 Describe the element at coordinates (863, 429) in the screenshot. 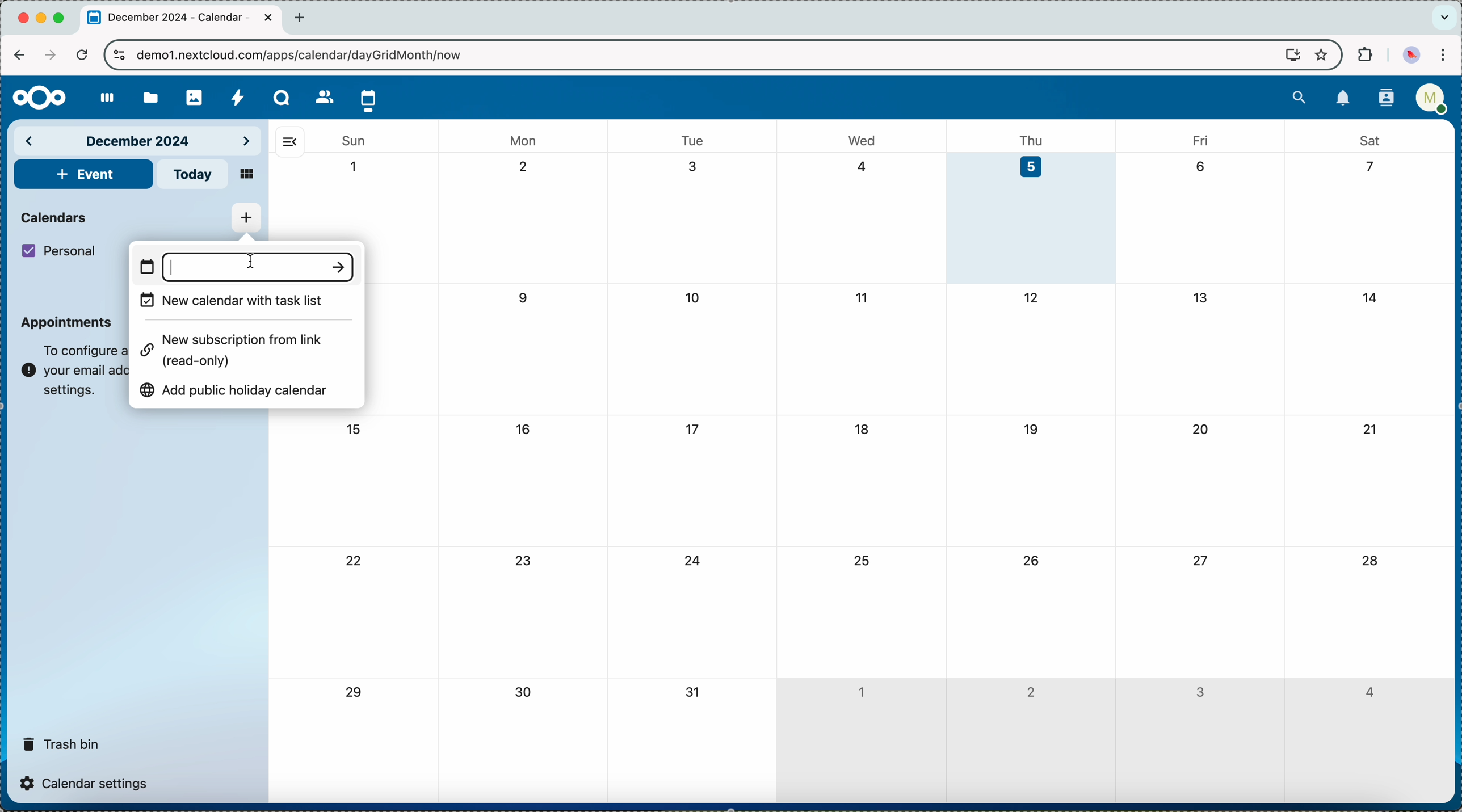

I see `18` at that location.